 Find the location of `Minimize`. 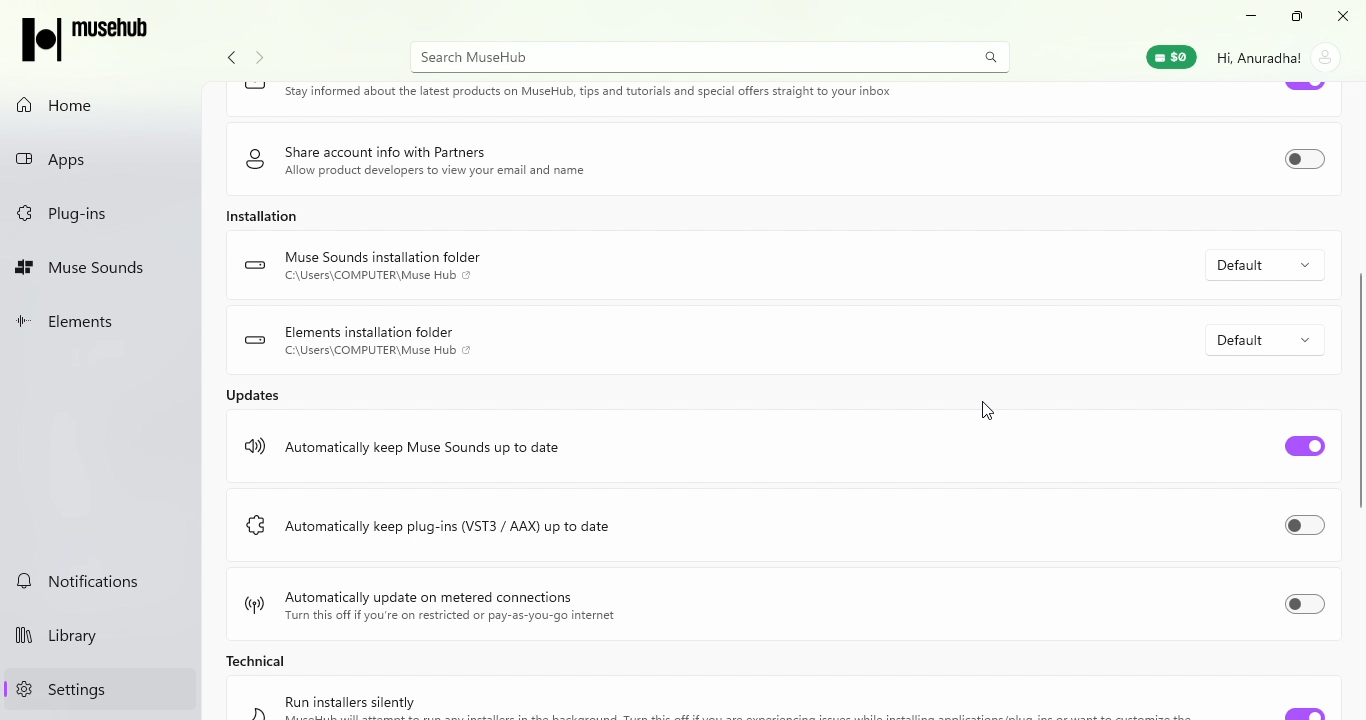

Minimize is located at coordinates (1248, 20).